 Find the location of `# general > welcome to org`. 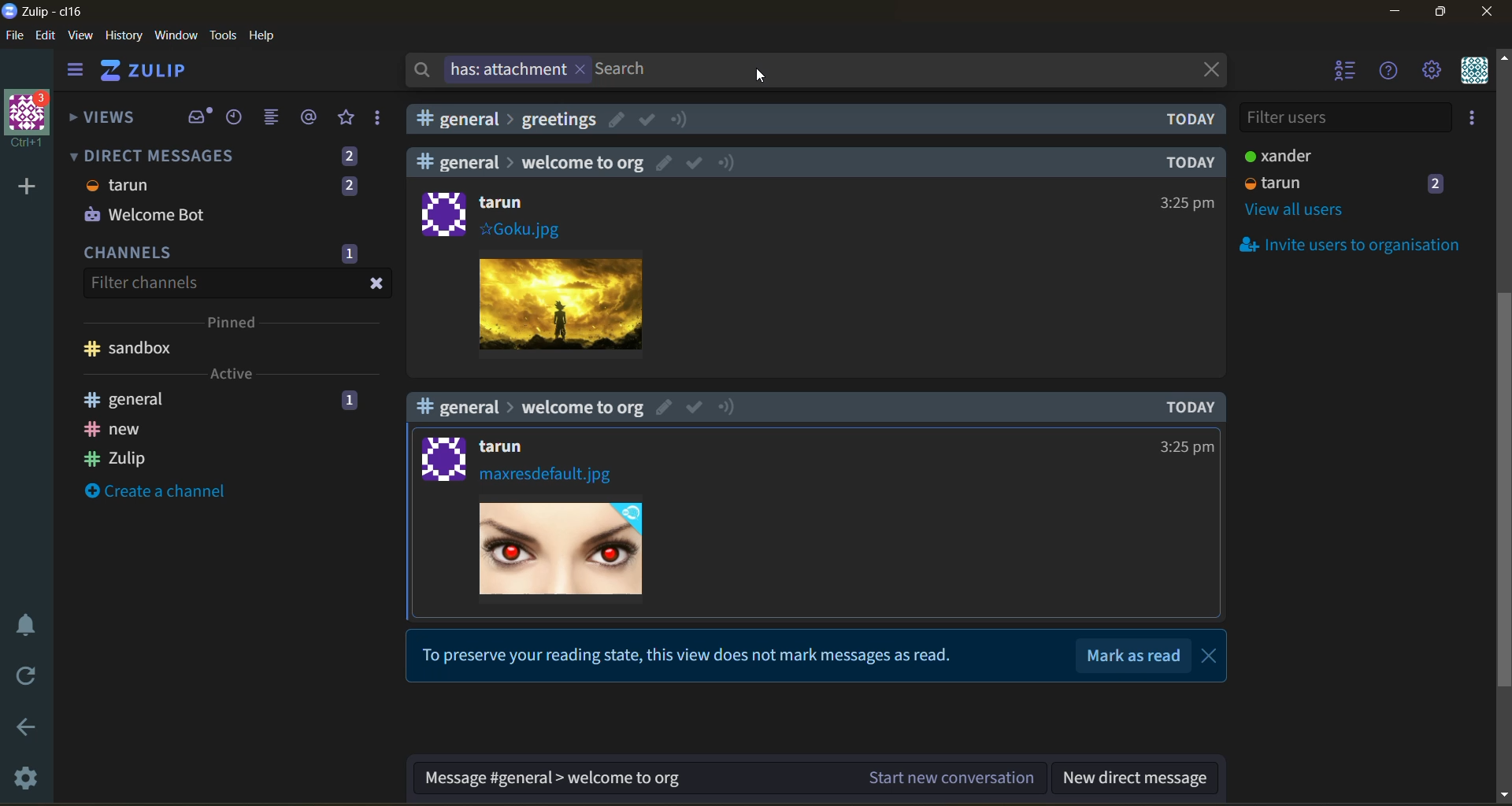

# general > welcome to org is located at coordinates (529, 406).